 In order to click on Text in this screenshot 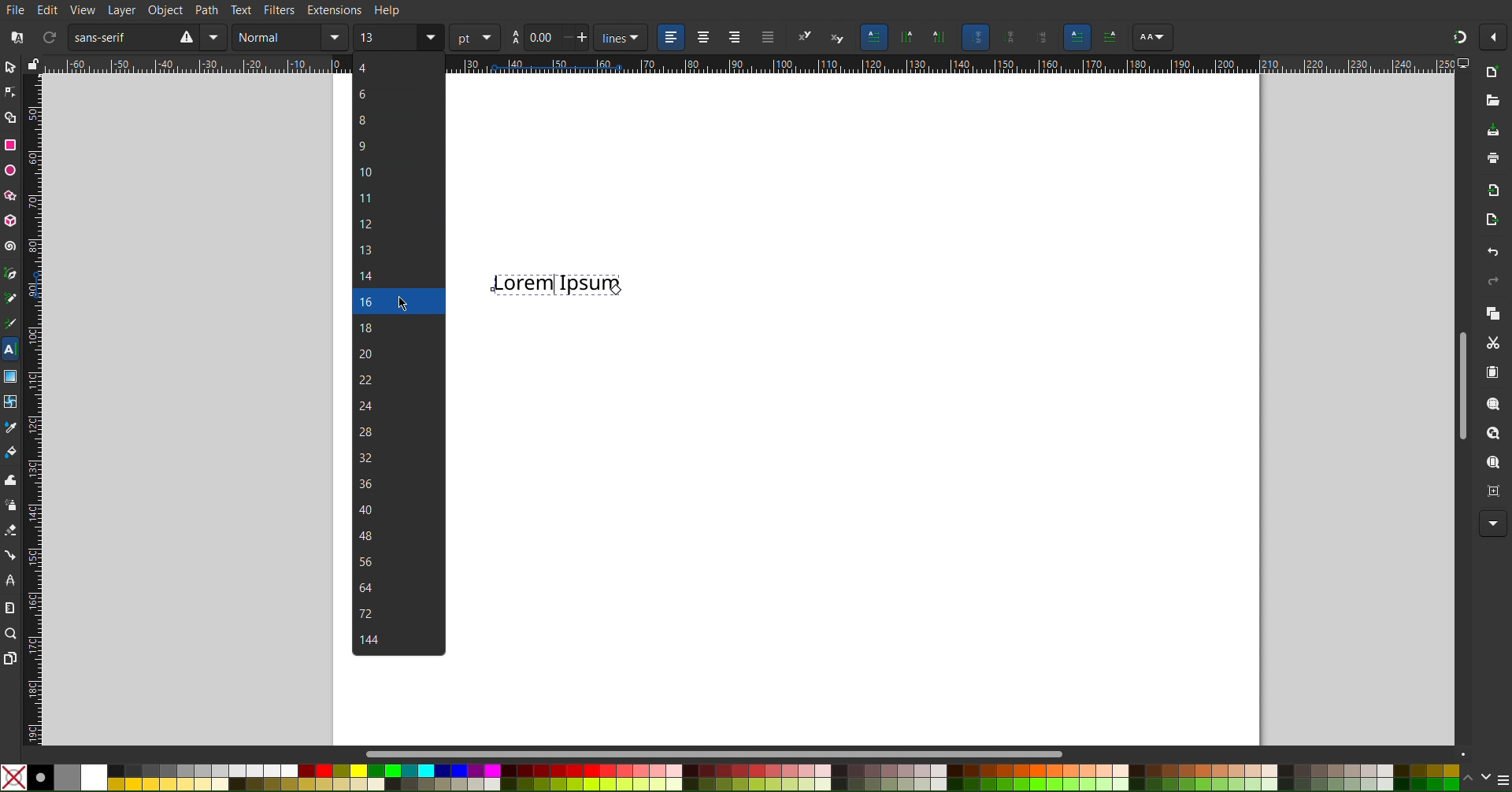, I will do `click(556, 283)`.